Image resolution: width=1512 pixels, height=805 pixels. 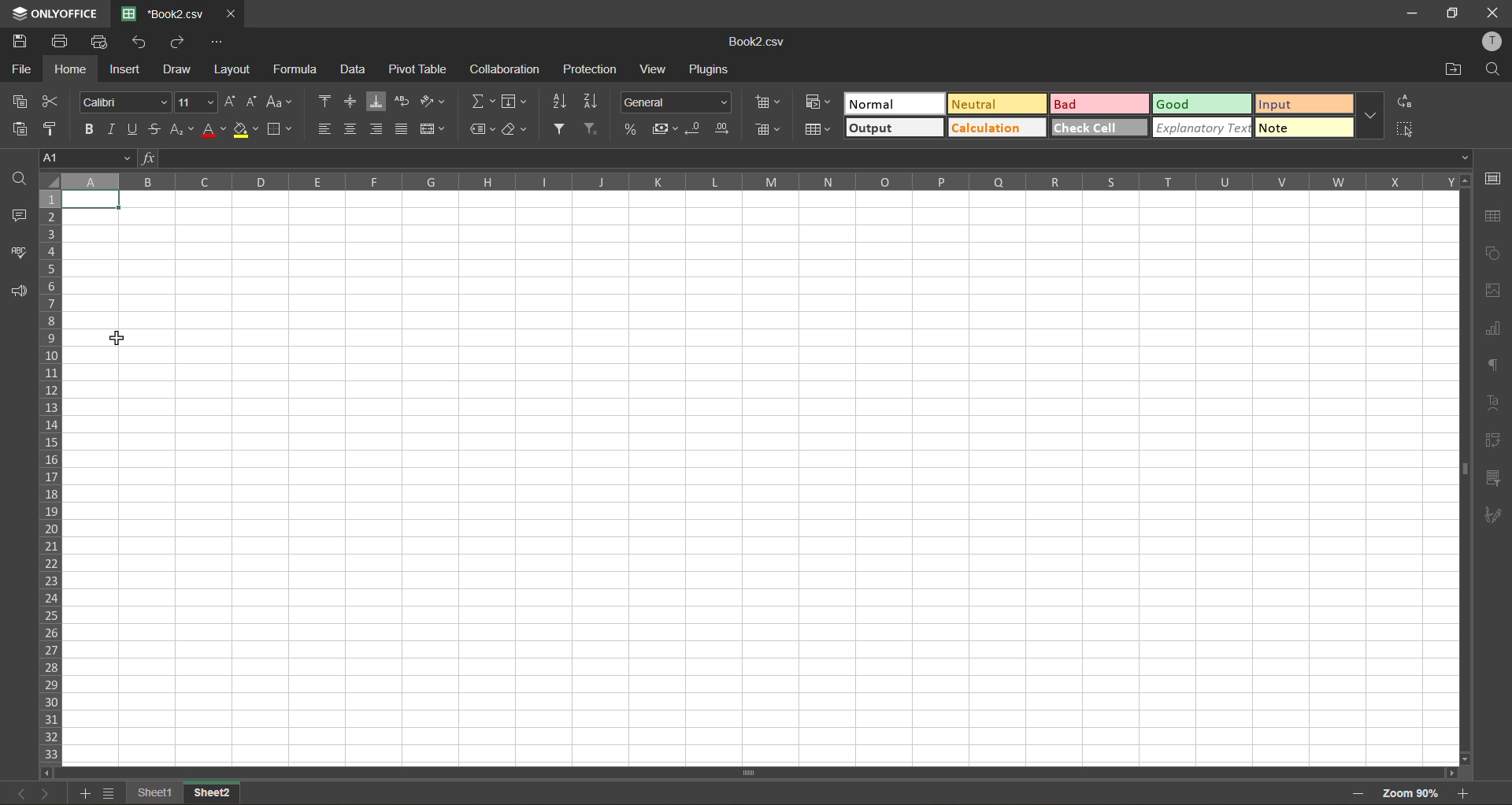 What do you see at coordinates (516, 129) in the screenshot?
I see `clear` at bounding box center [516, 129].